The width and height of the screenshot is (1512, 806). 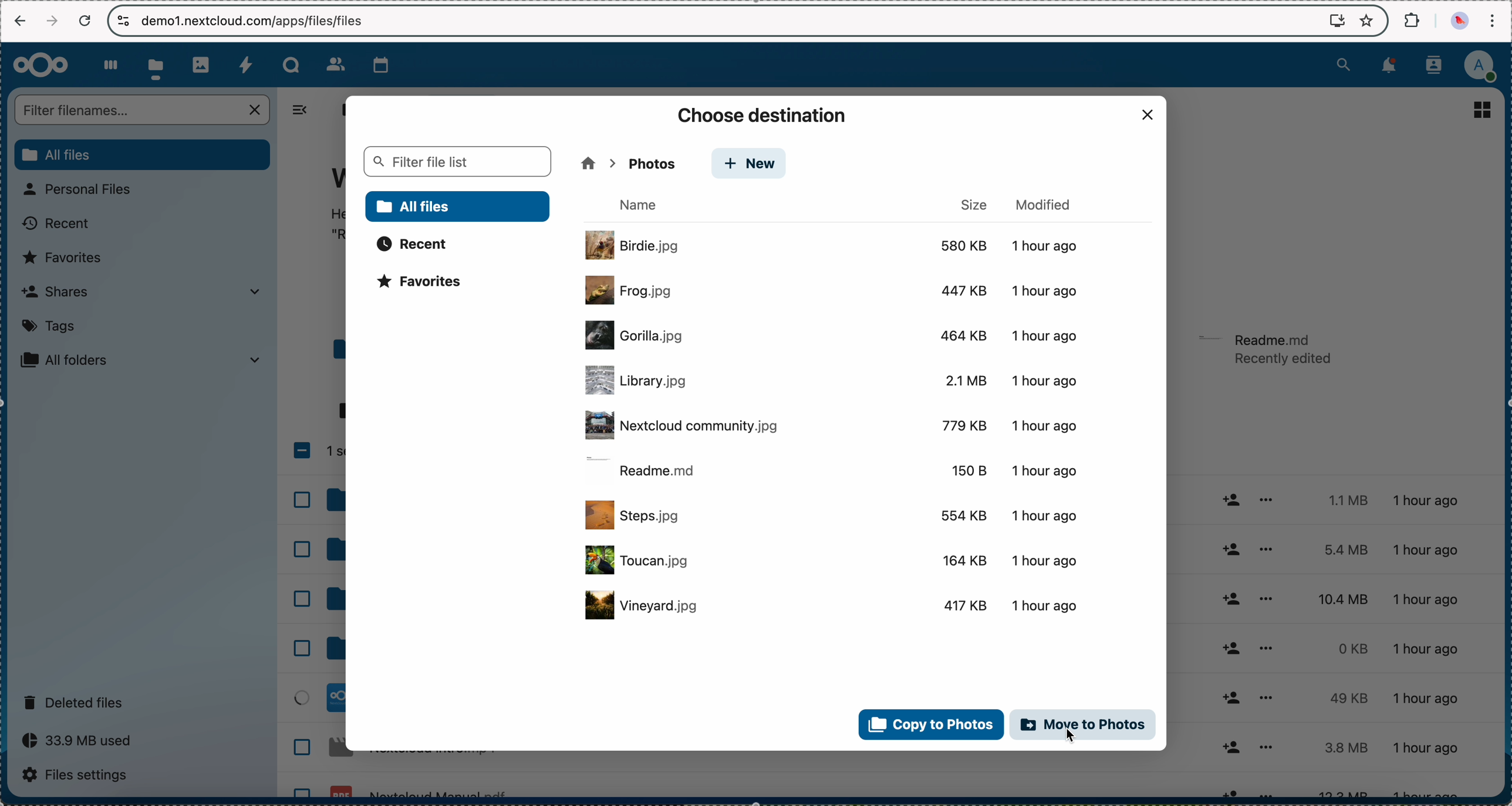 What do you see at coordinates (750, 165) in the screenshot?
I see `new button` at bounding box center [750, 165].